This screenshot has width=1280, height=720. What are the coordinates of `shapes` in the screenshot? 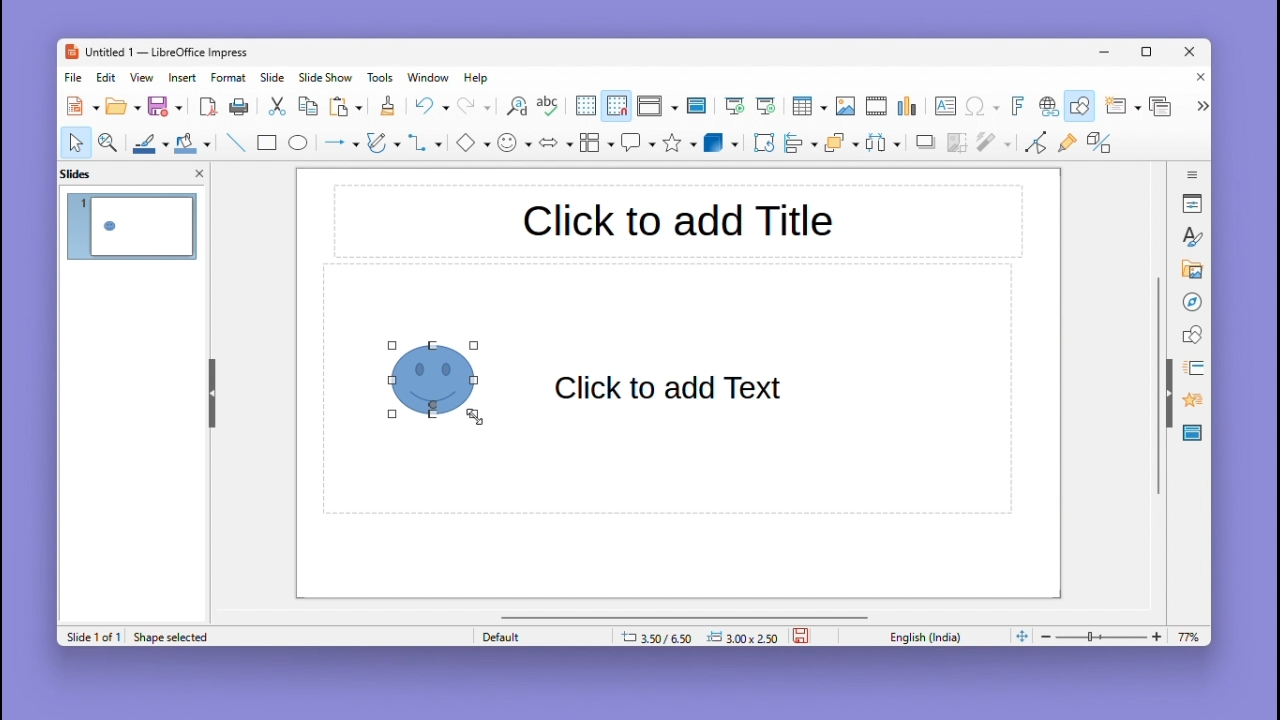 It's located at (1192, 333).